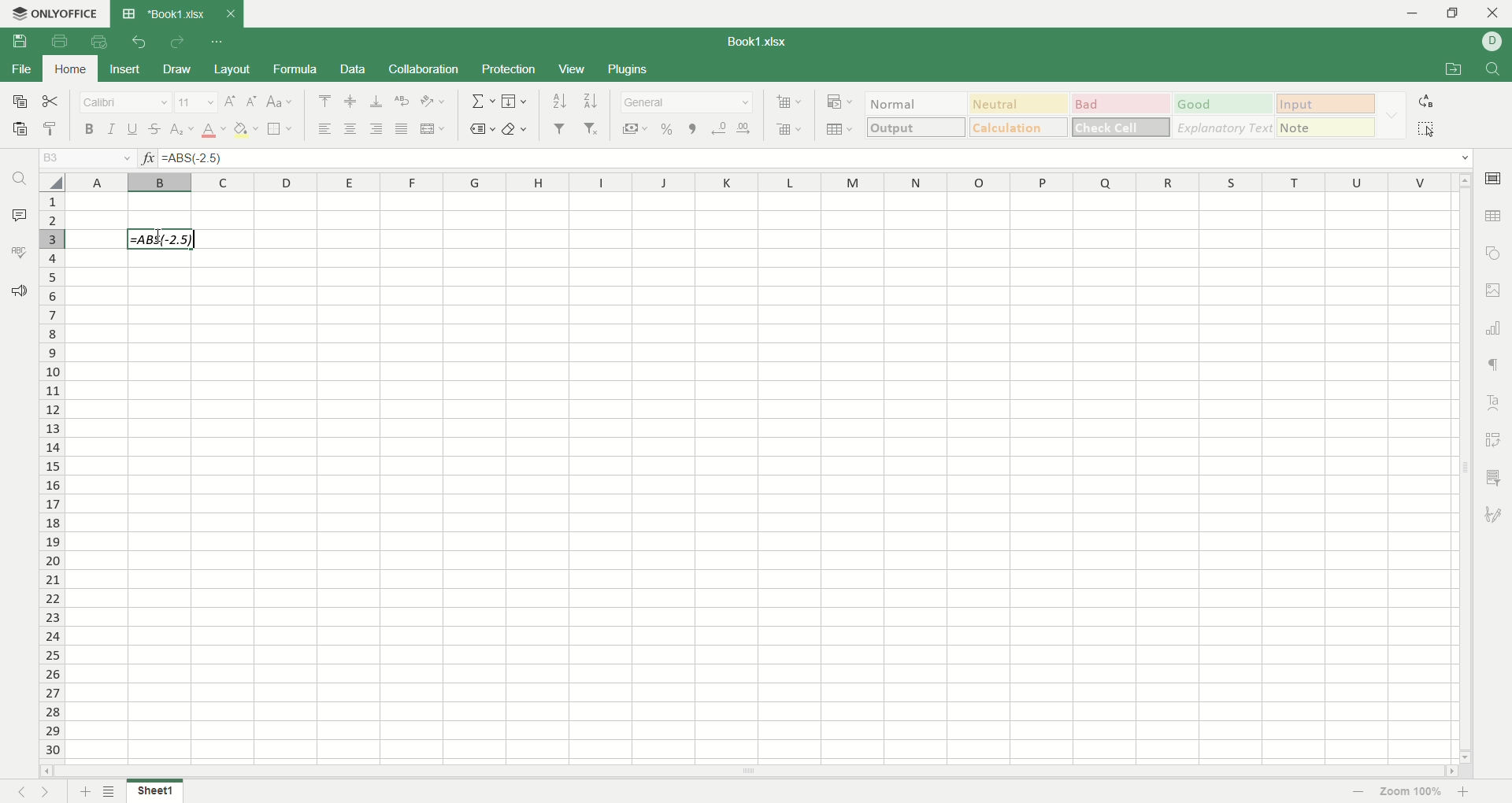 The width and height of the screenshot is (1512, 803). What do you see at coordinates (1121, 128) in the screenshot?
I see `check cell` at bounding box center [1121, 128].